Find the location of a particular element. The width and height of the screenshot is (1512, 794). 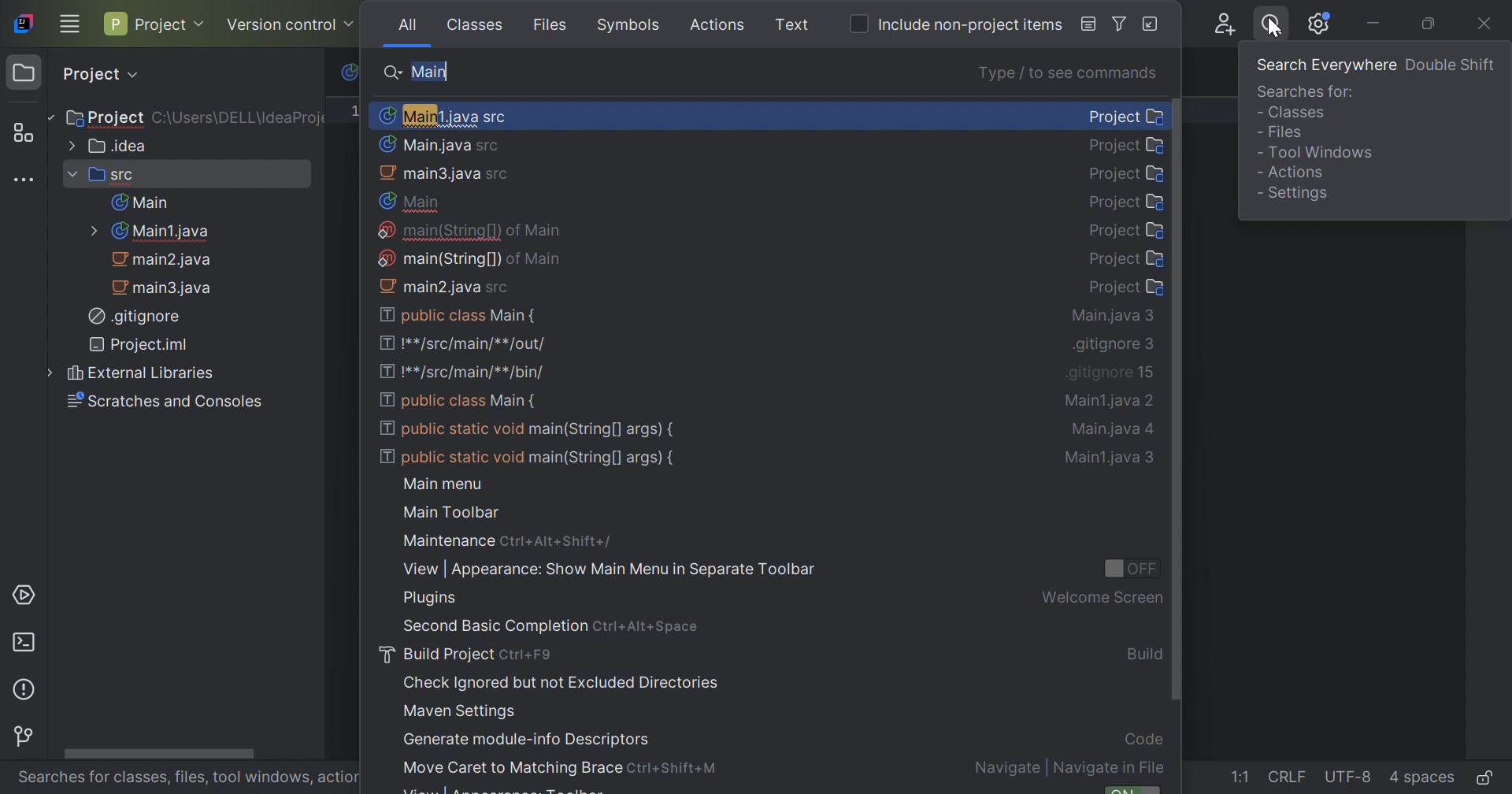

Main.java src is located at coordinates (439, 144).